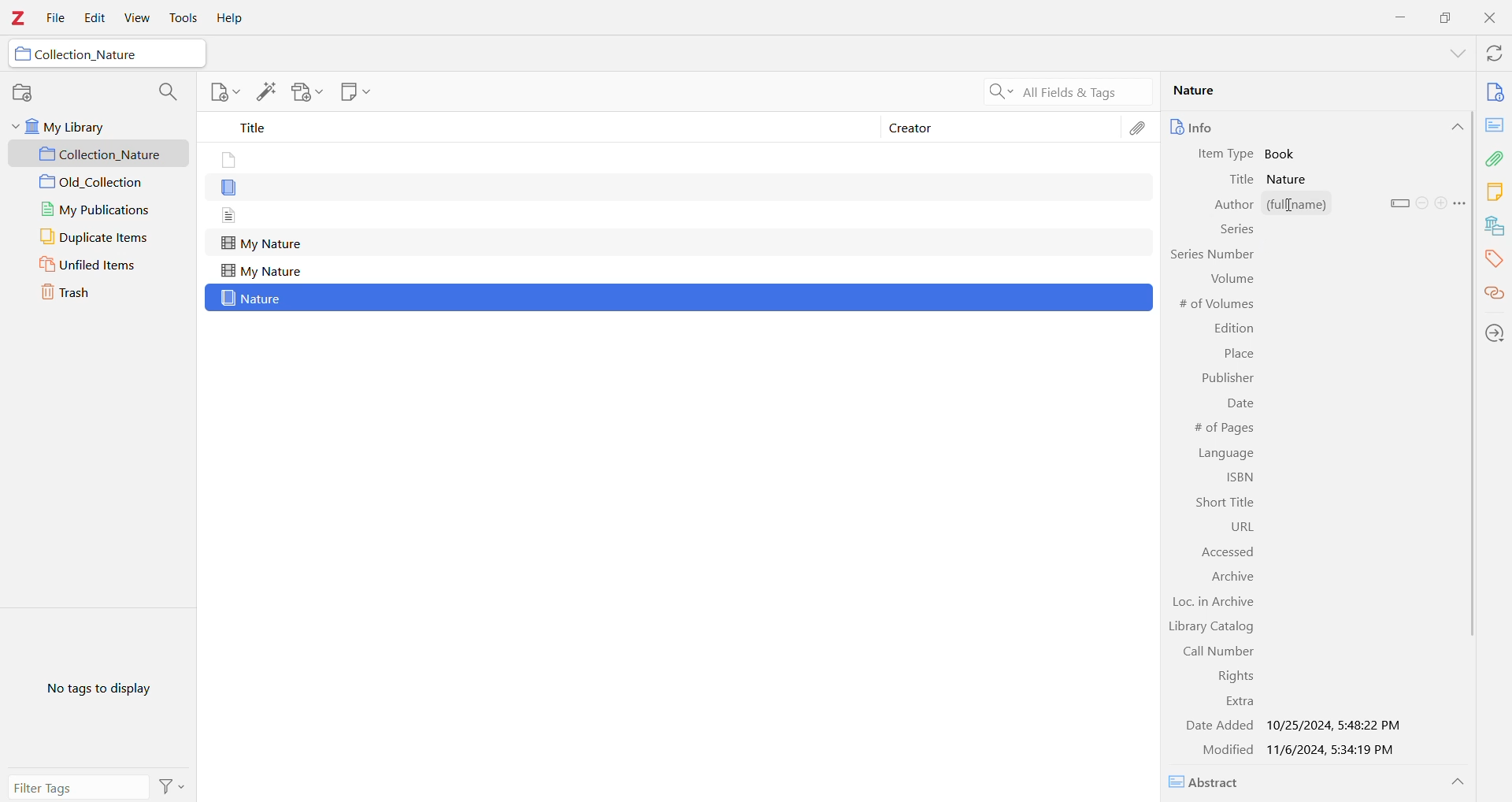 This screenshot has width=1512, height=802. Describe the element at coordinates (57, 19) in the screenshot. I see `File` at that location.